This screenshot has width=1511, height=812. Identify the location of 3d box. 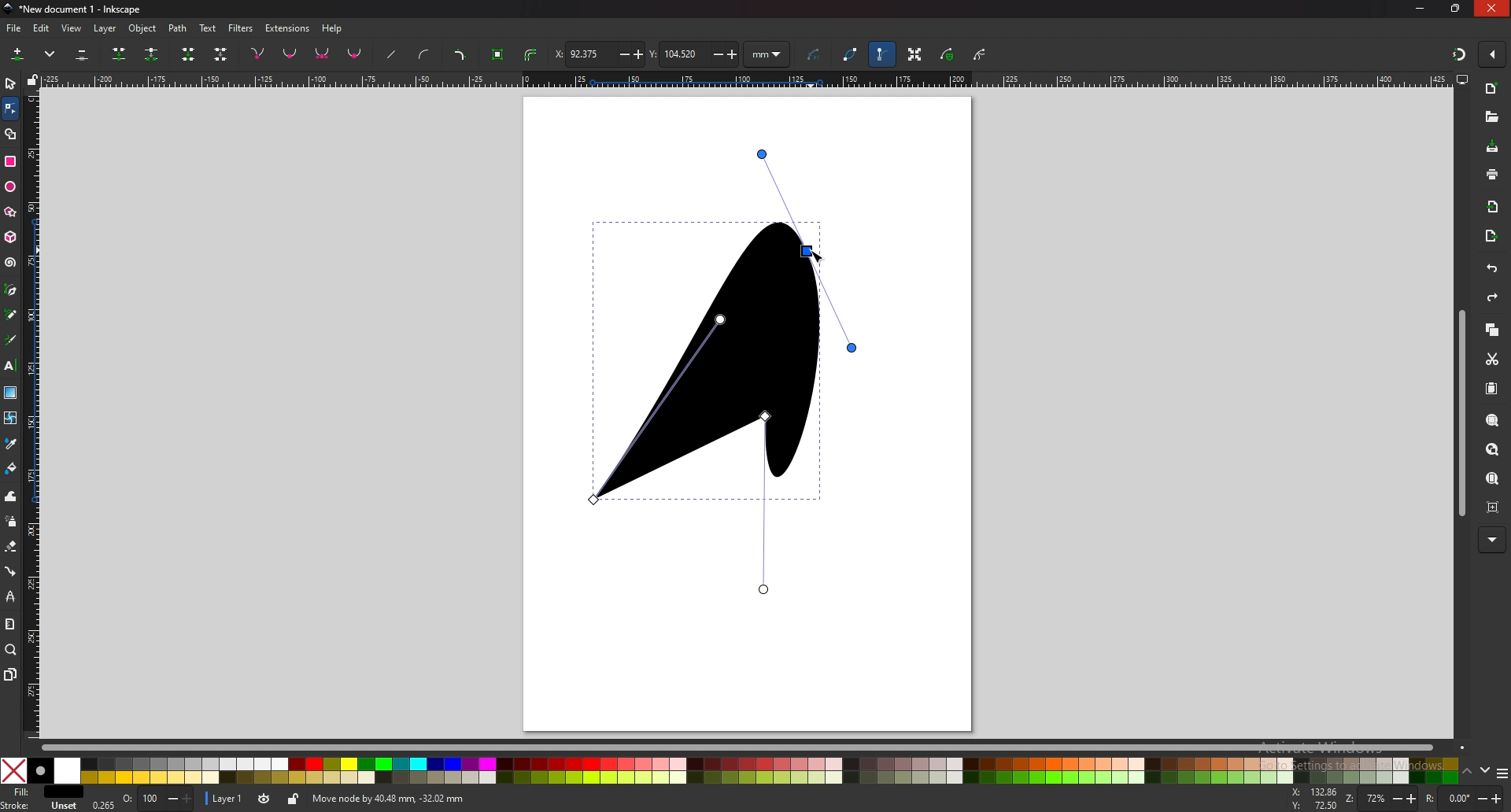
(12, 238).